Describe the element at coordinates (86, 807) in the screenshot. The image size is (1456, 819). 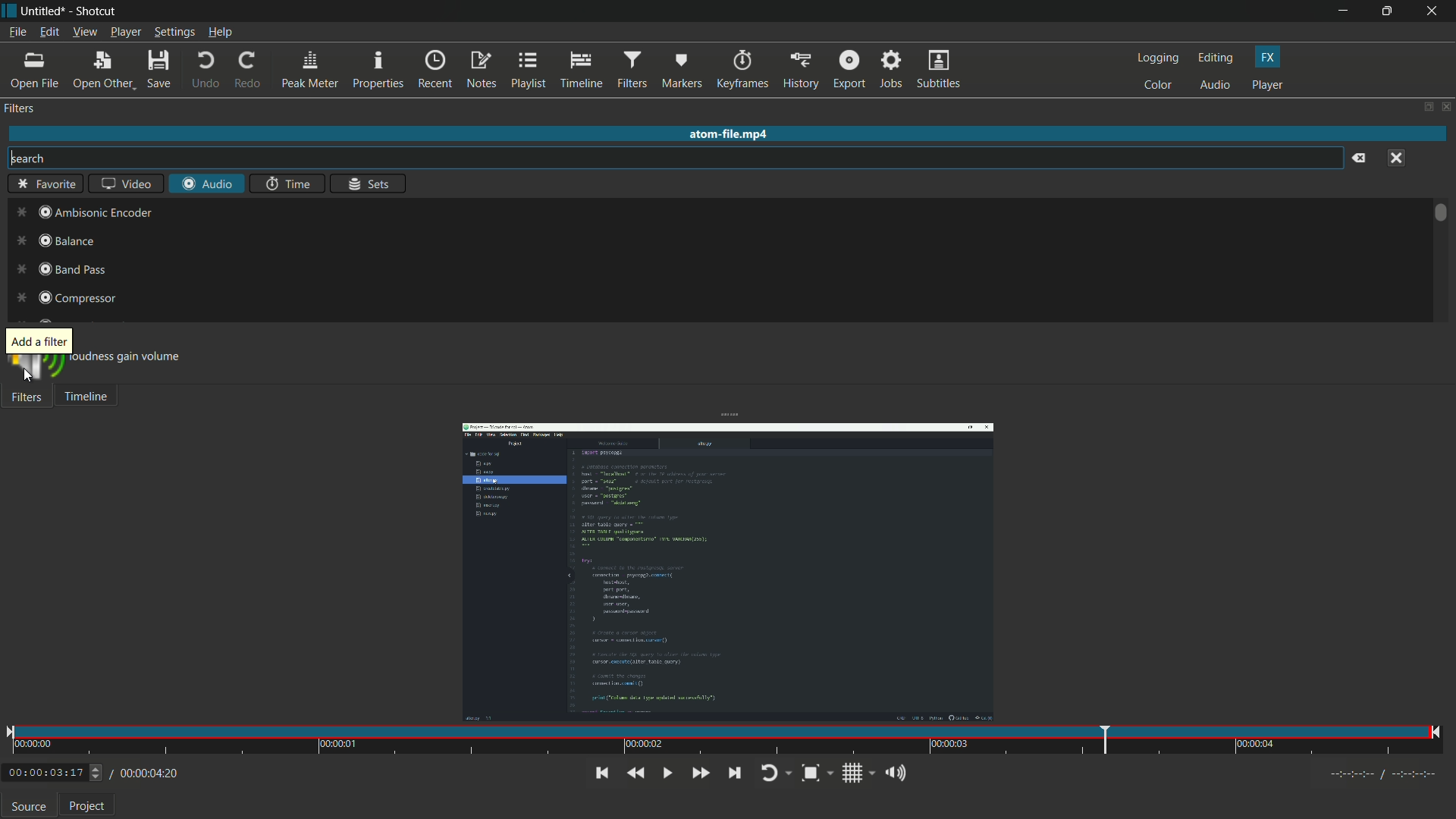
I see `Project` at that location.